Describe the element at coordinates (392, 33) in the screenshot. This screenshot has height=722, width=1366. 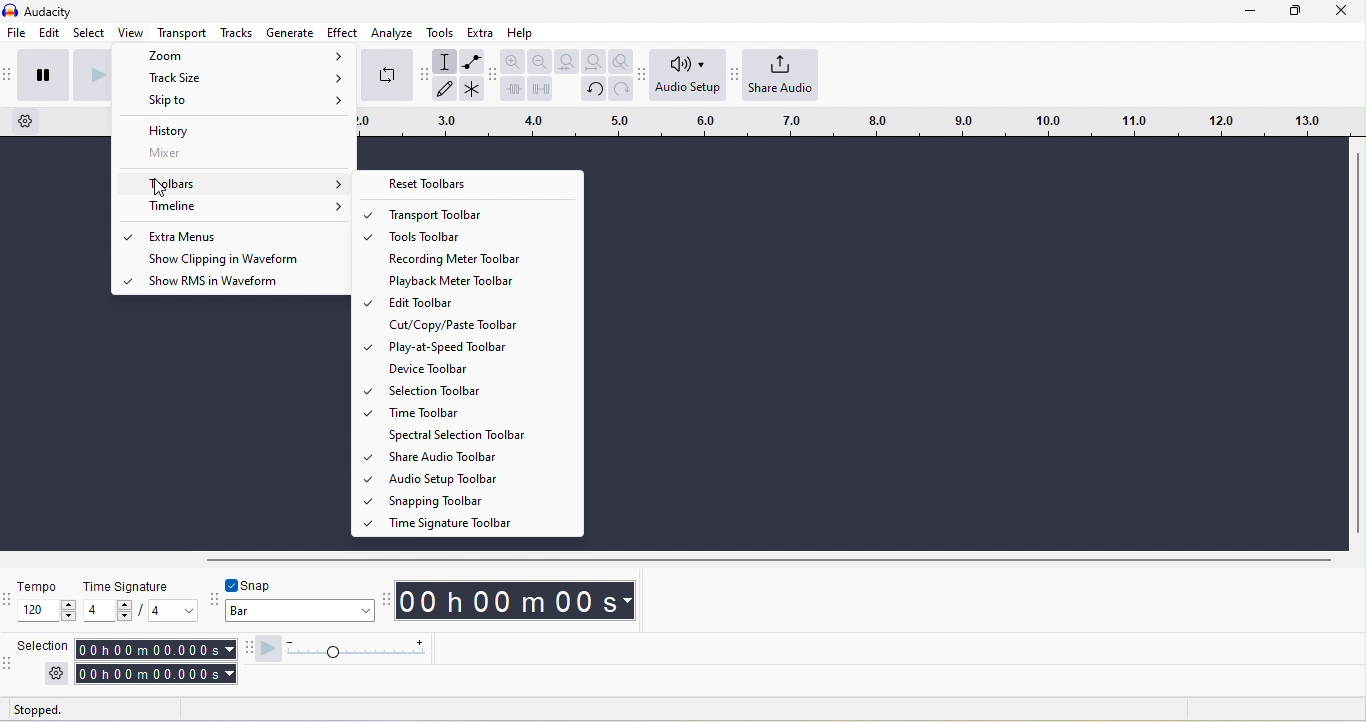
I see `analyze` at that location.